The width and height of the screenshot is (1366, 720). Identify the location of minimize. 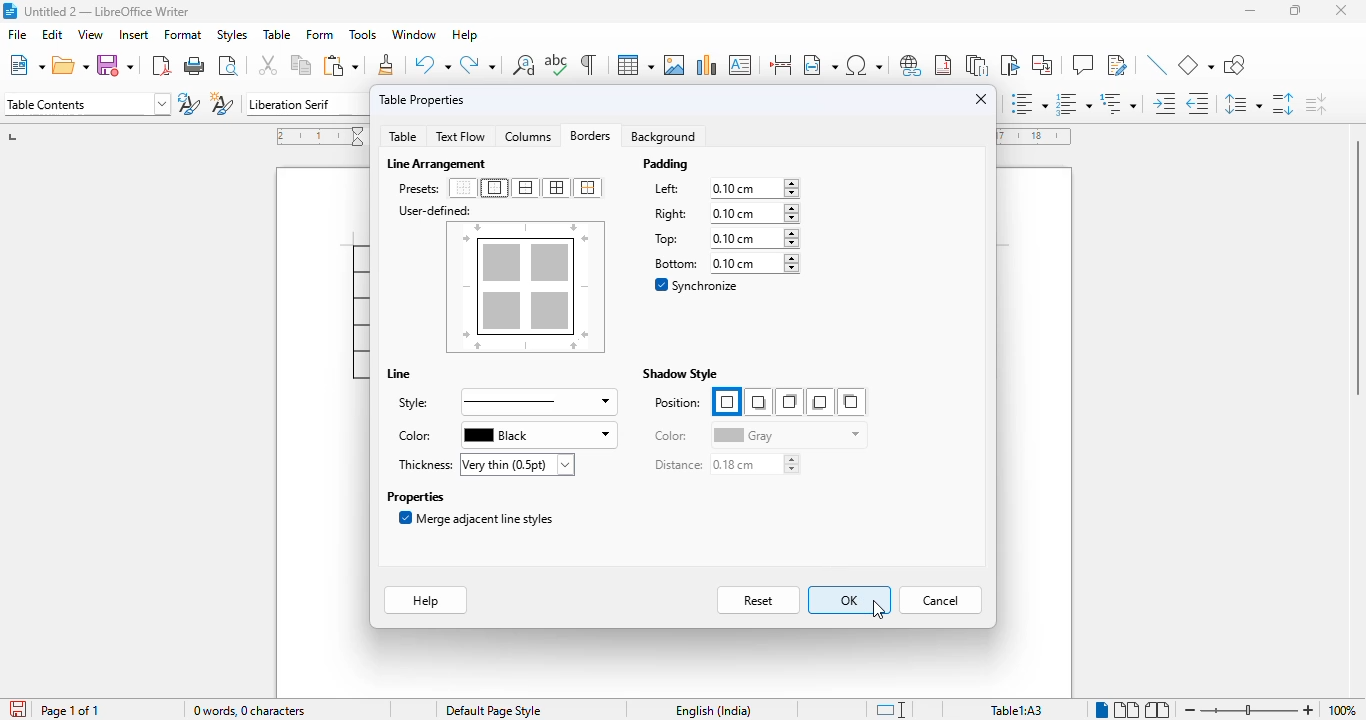
(1250, 10).